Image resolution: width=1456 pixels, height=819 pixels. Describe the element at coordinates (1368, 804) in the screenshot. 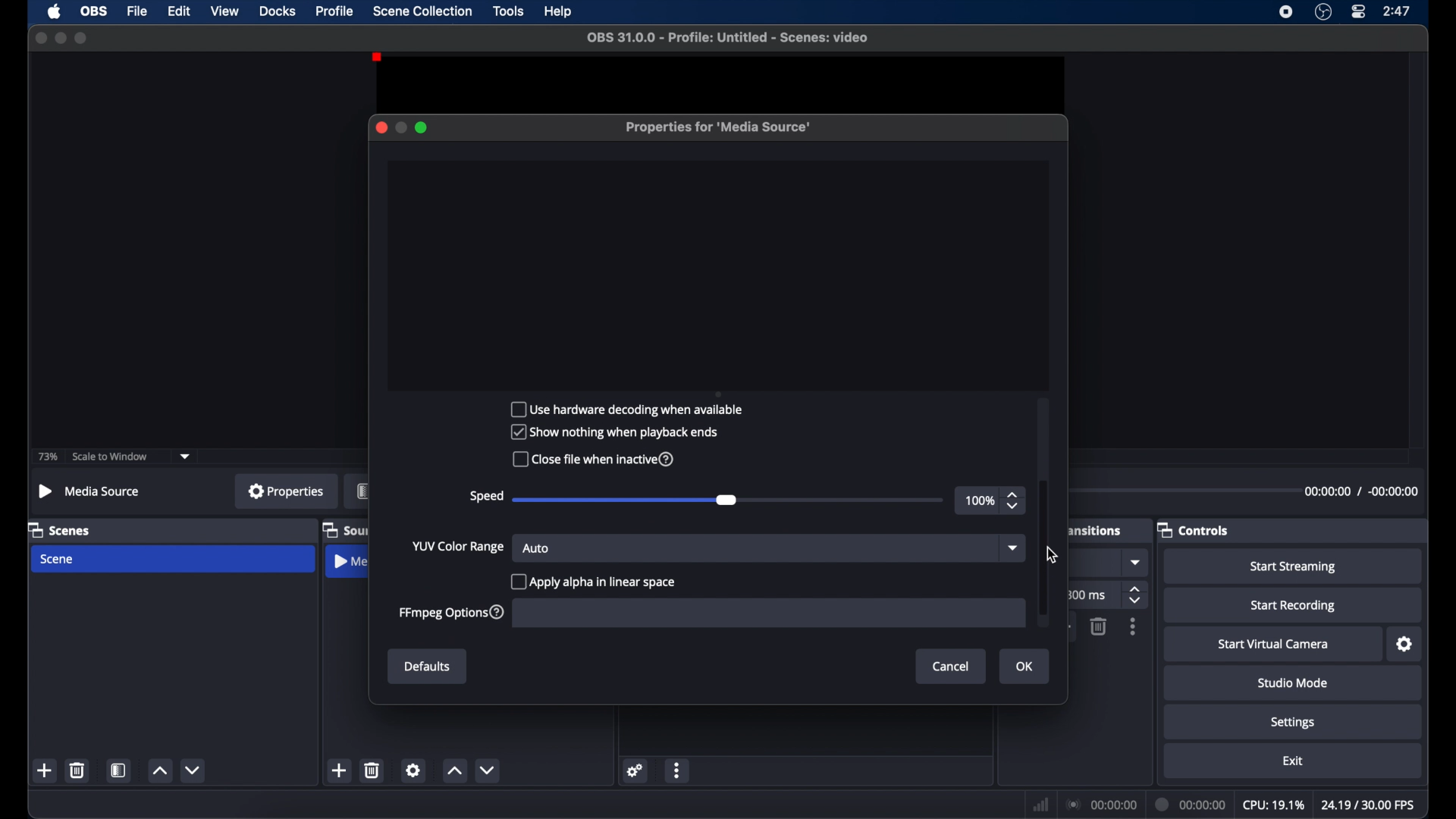

I see `fps` at that location.